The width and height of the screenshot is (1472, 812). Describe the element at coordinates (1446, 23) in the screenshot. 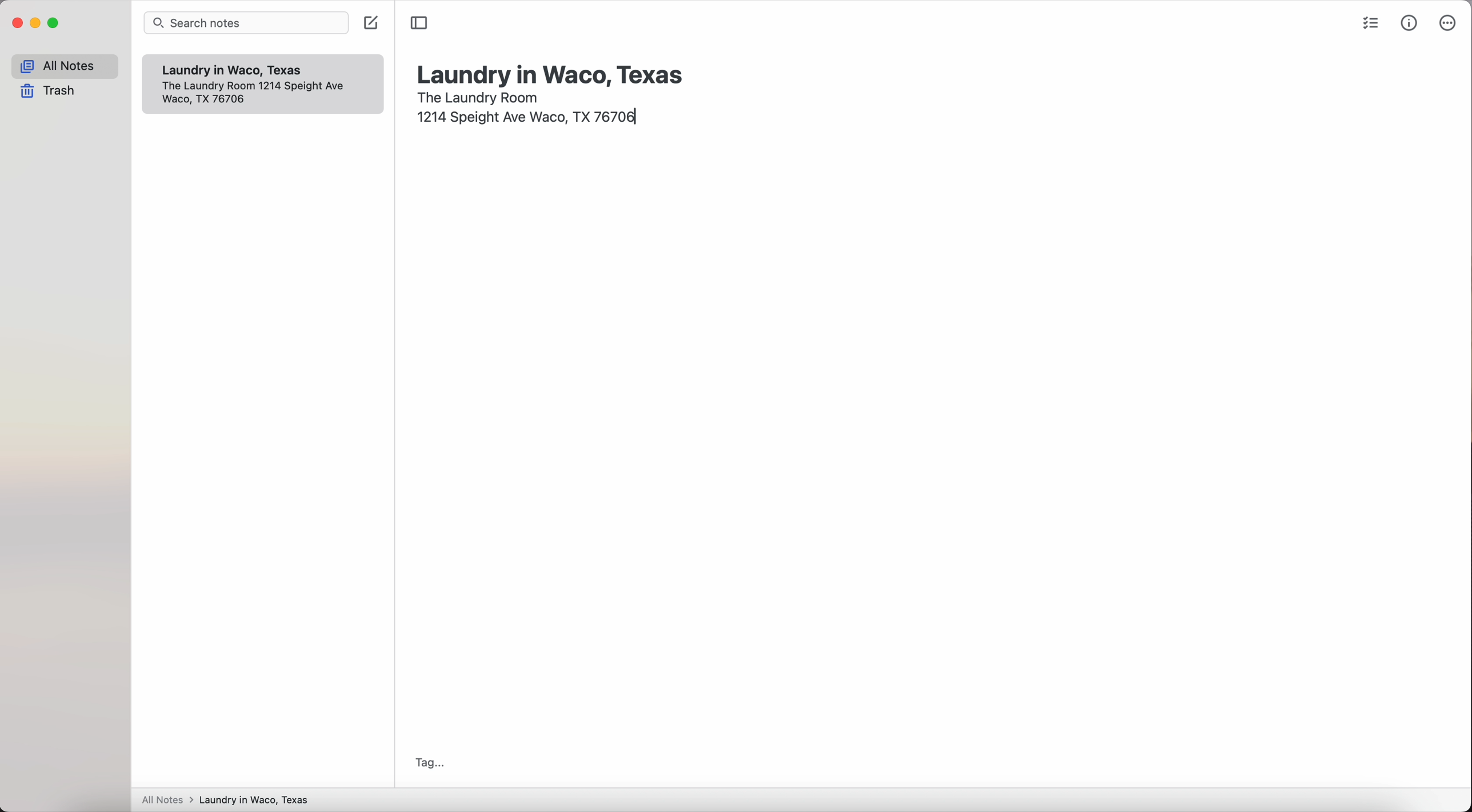

I see `more options` at that location.